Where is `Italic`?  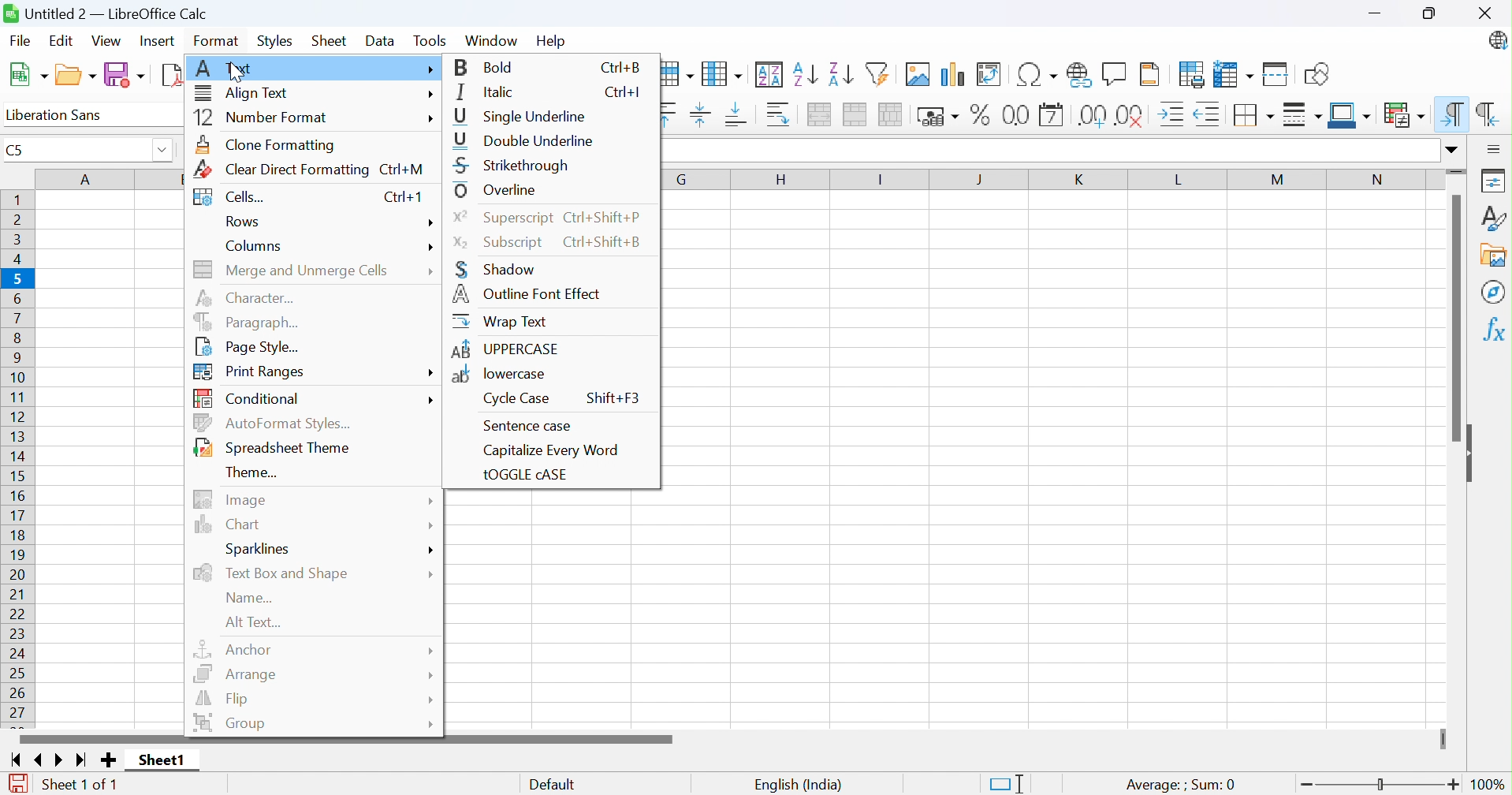 Italic is located at coordinates (488, 91).